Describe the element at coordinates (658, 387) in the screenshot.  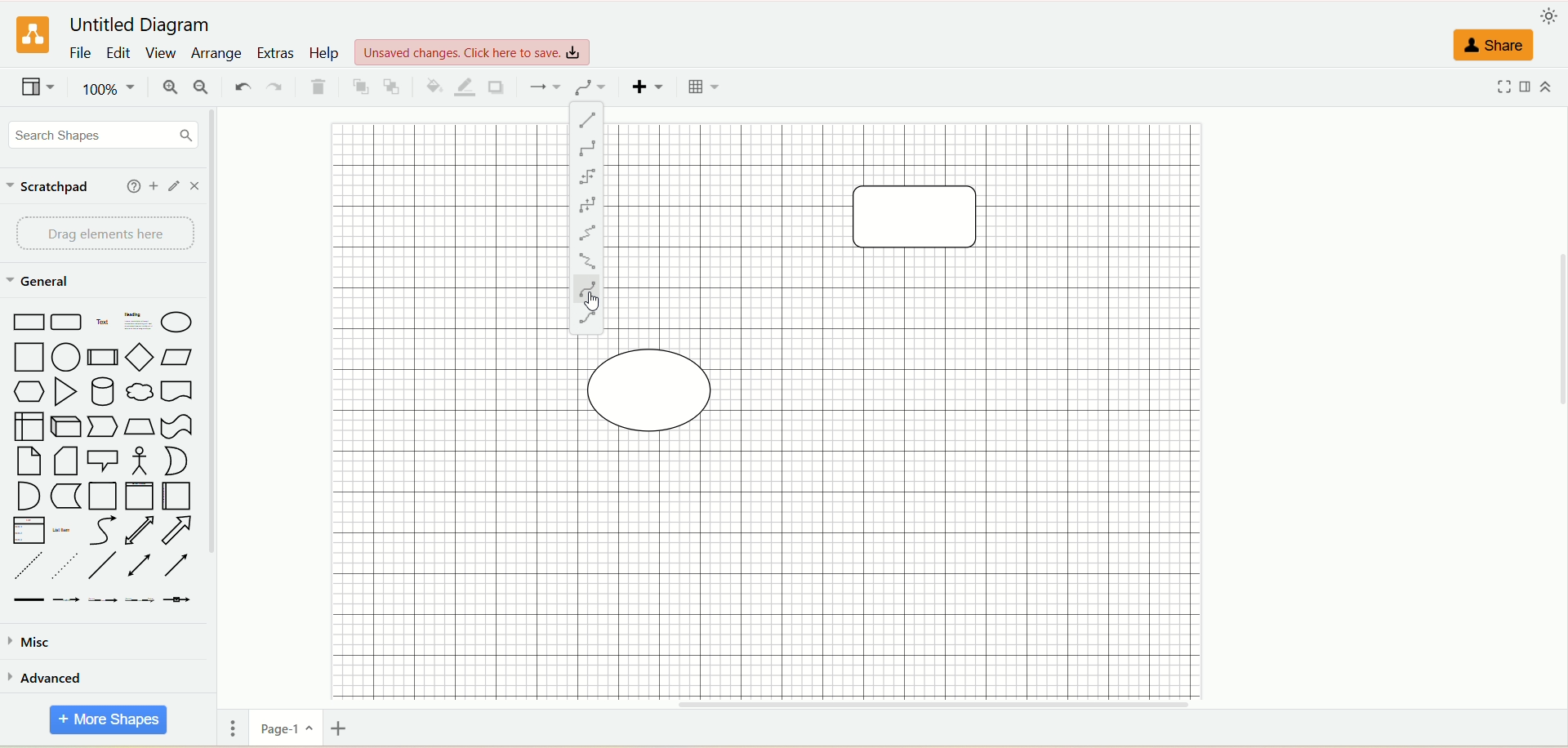
I see `shape` at that location.